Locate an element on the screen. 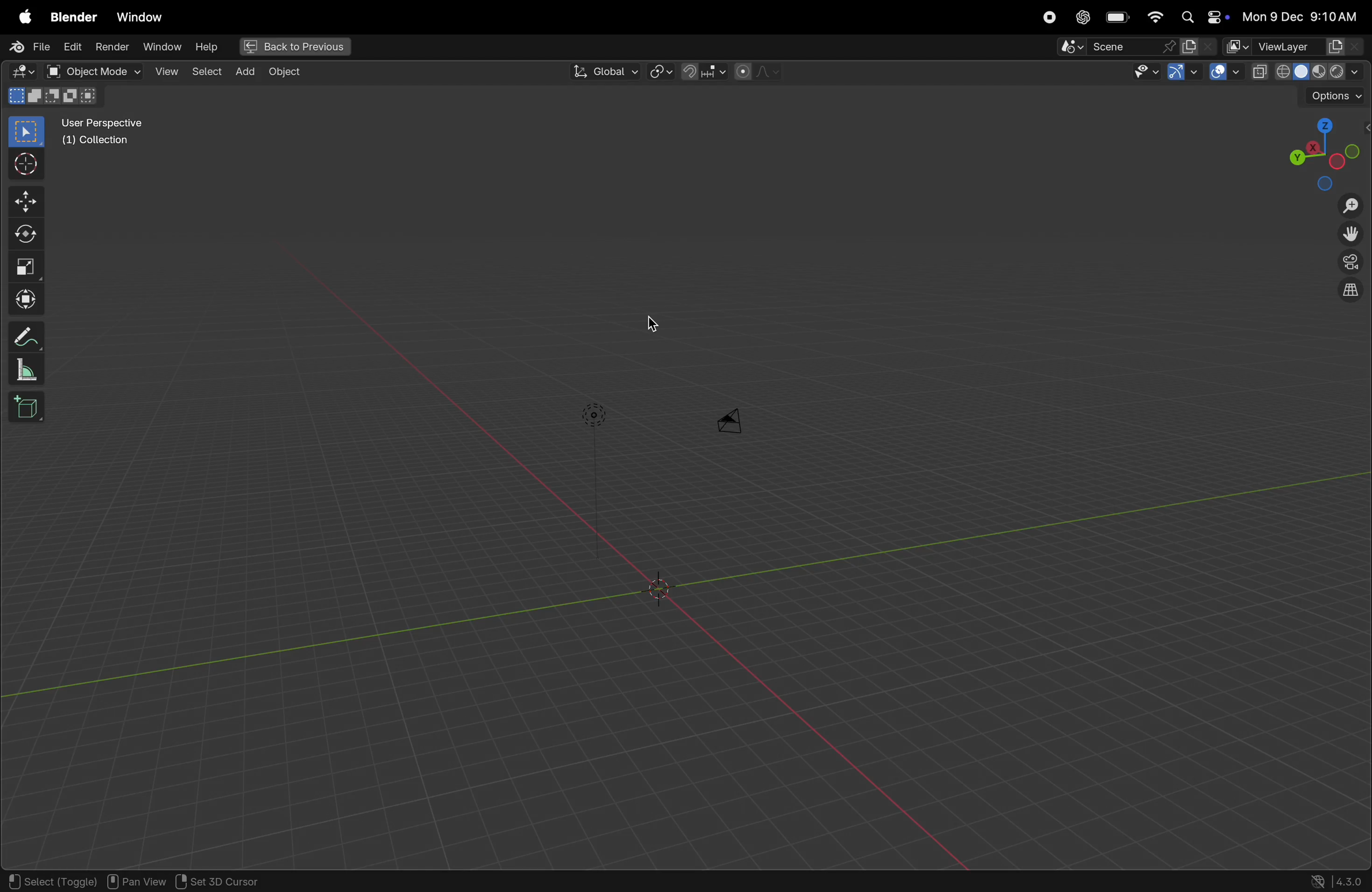 The height and width of the screenshot is (892, 1372). wifi is located at coordinates (1155, 17).